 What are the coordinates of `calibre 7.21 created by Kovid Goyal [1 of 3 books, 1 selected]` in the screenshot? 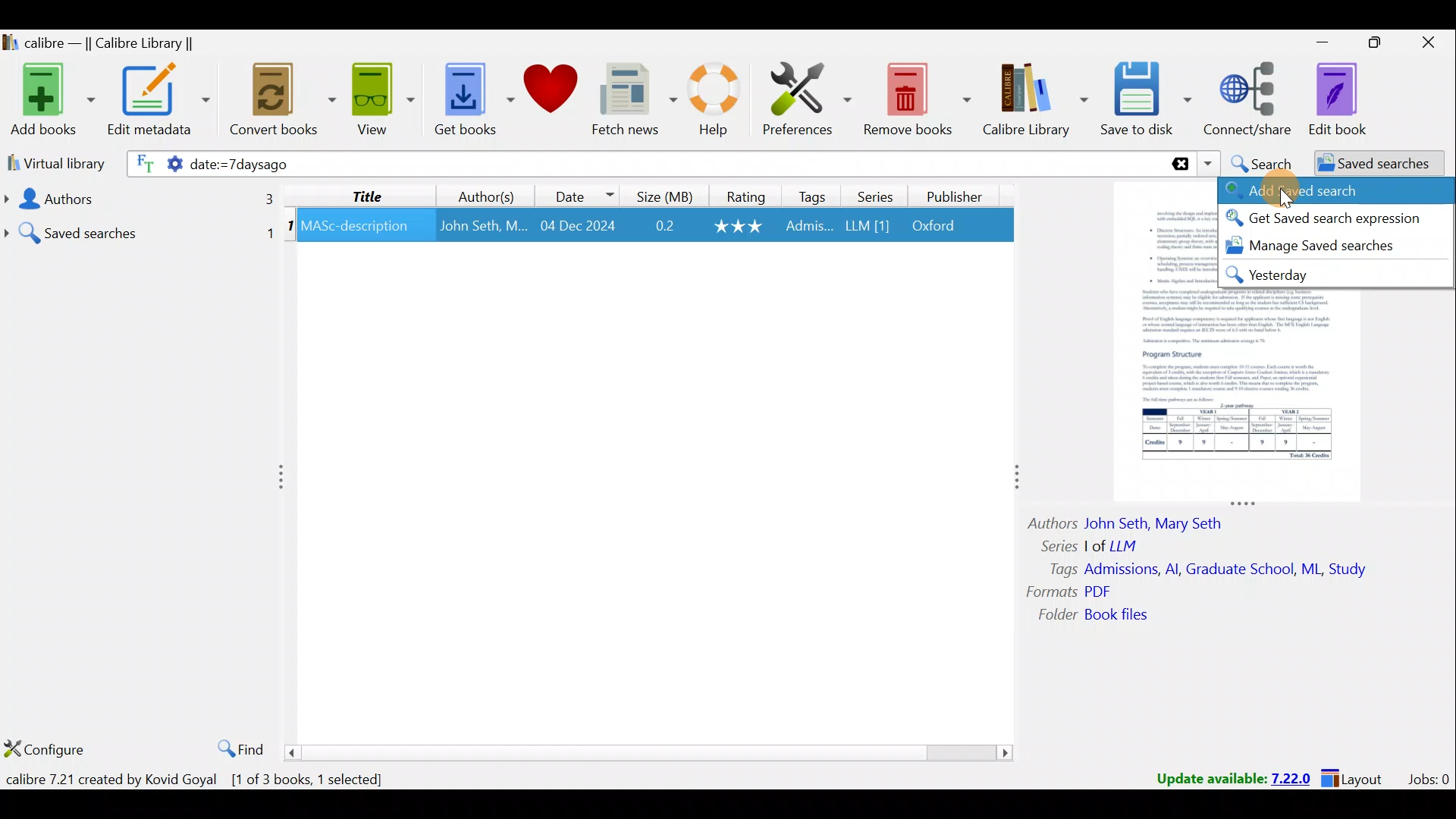 It's located at (203, 780).